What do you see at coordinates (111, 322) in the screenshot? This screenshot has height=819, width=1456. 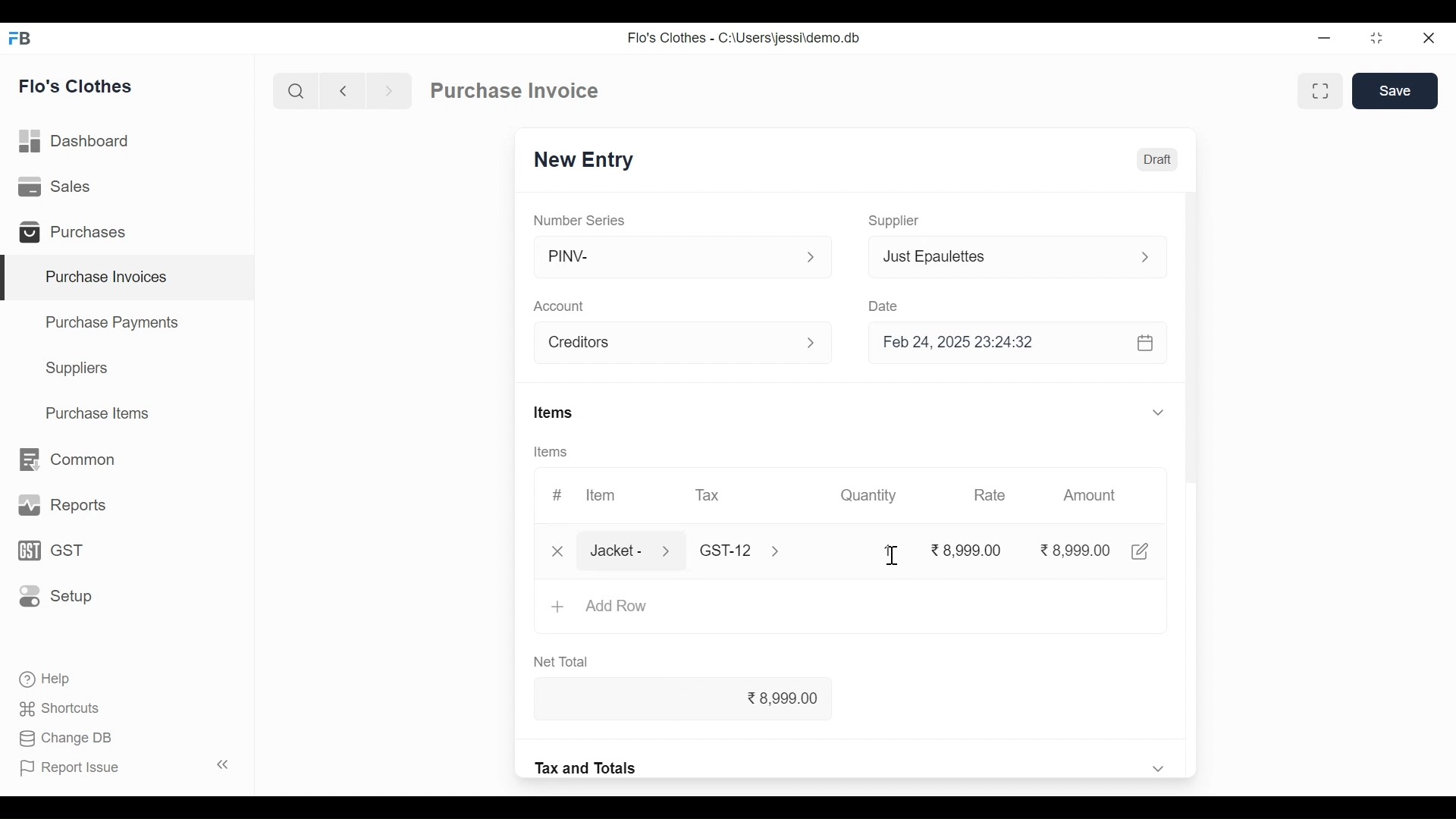 I see `Purchase Payments` at bounding box center [111, 322].